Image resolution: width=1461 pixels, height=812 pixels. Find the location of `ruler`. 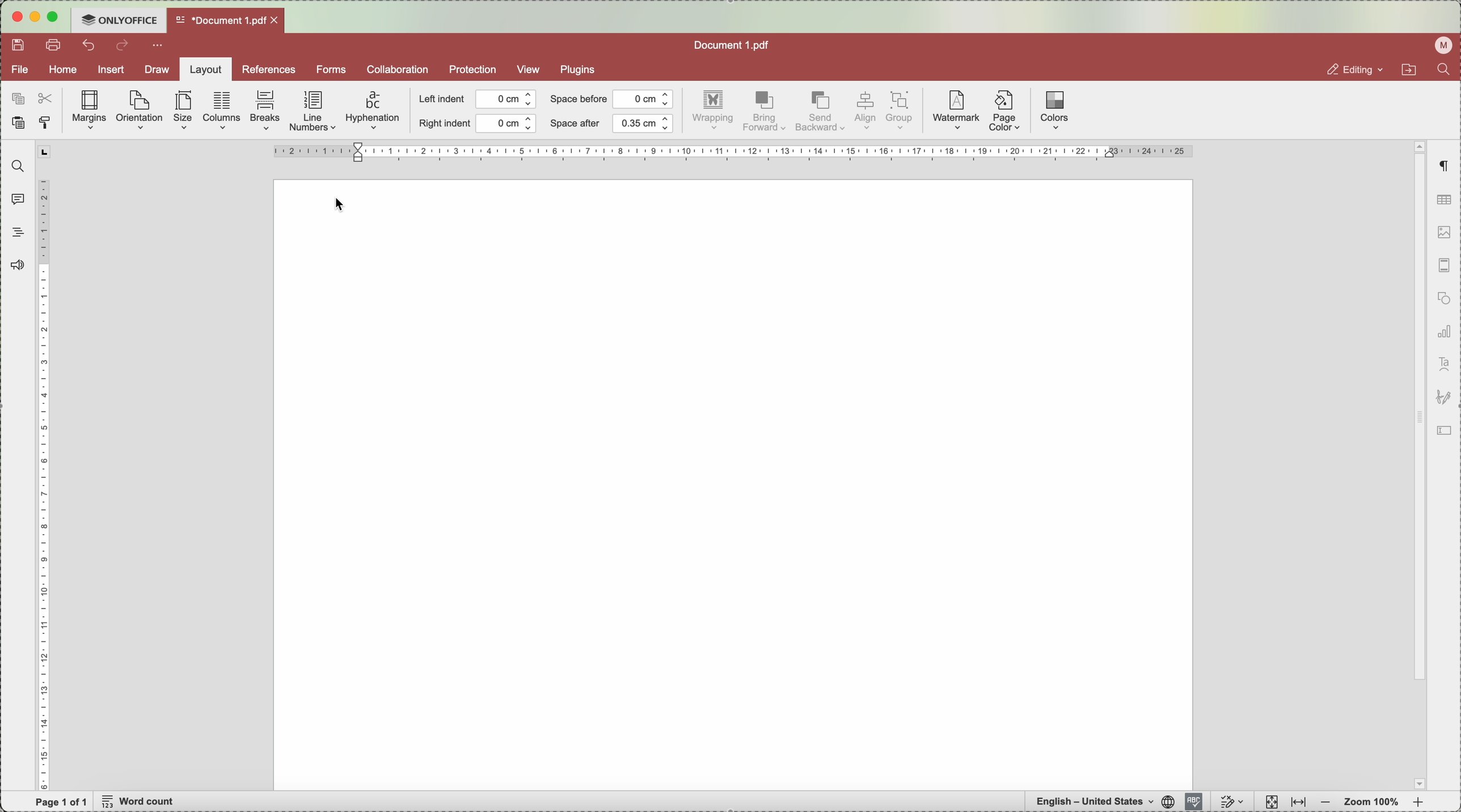

ruler is located at coordinates (45, 466).